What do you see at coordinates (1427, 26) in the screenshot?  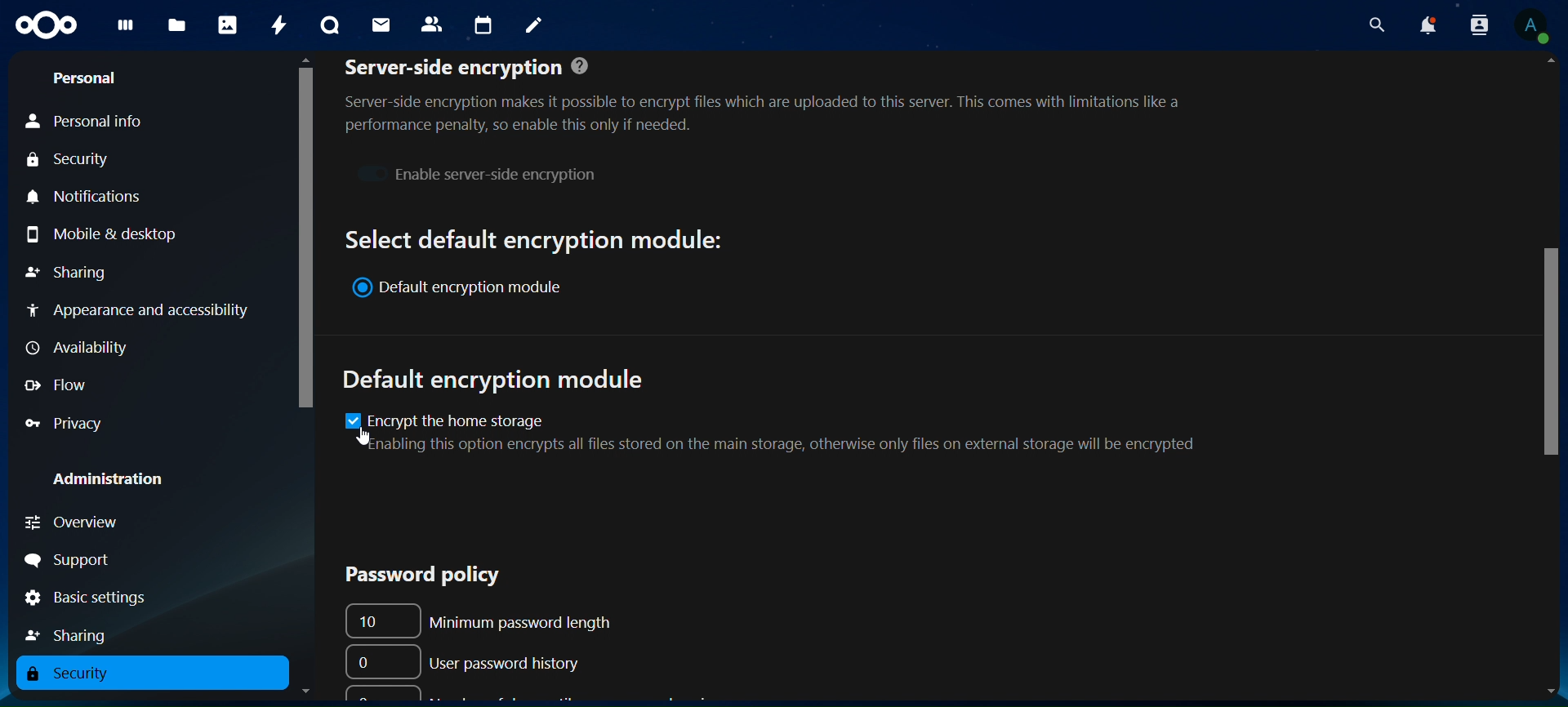 I see `notification` at bounding box center [1427, 26].